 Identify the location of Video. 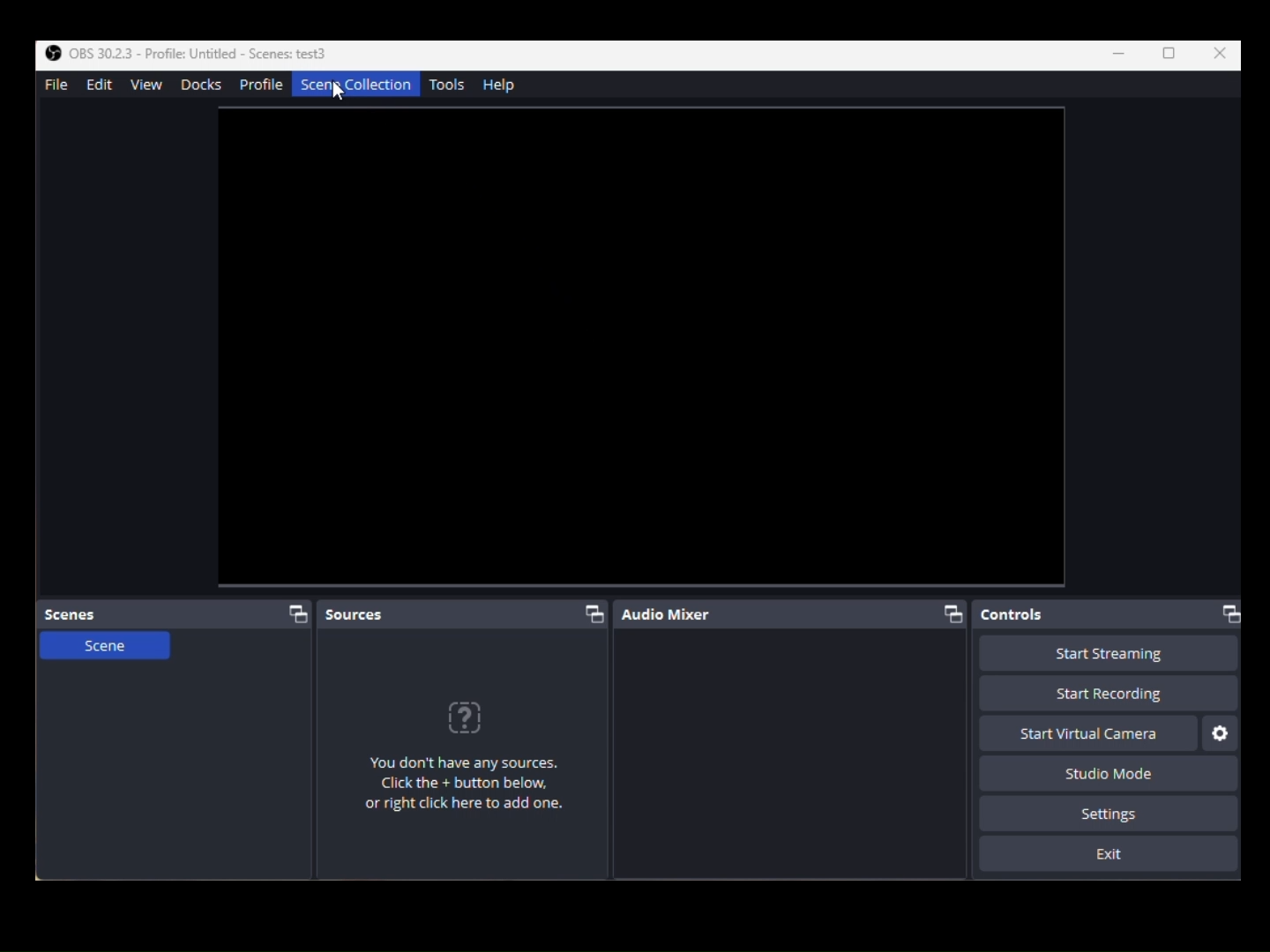
(641, 347).